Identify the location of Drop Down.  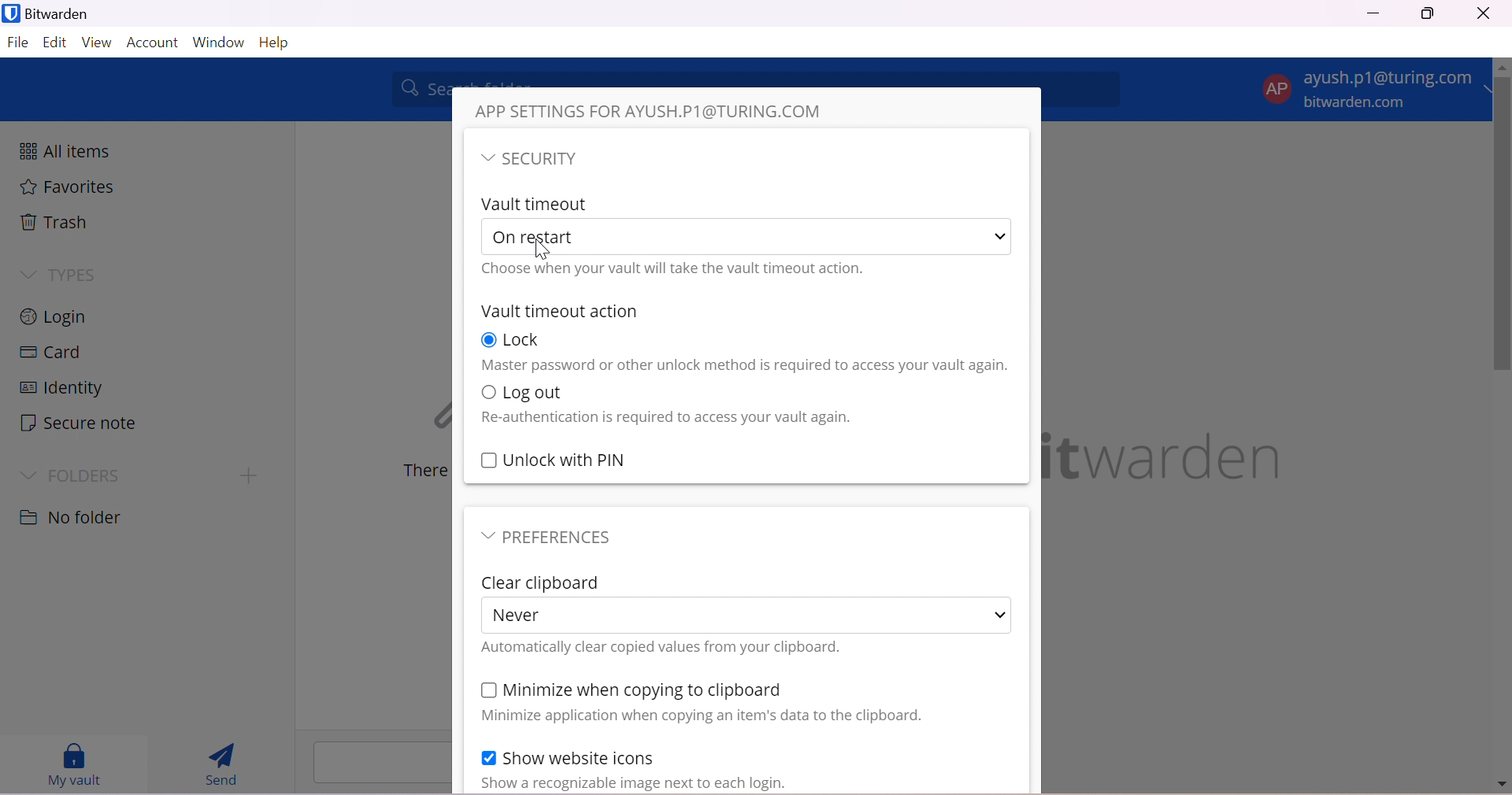
(486, 159).